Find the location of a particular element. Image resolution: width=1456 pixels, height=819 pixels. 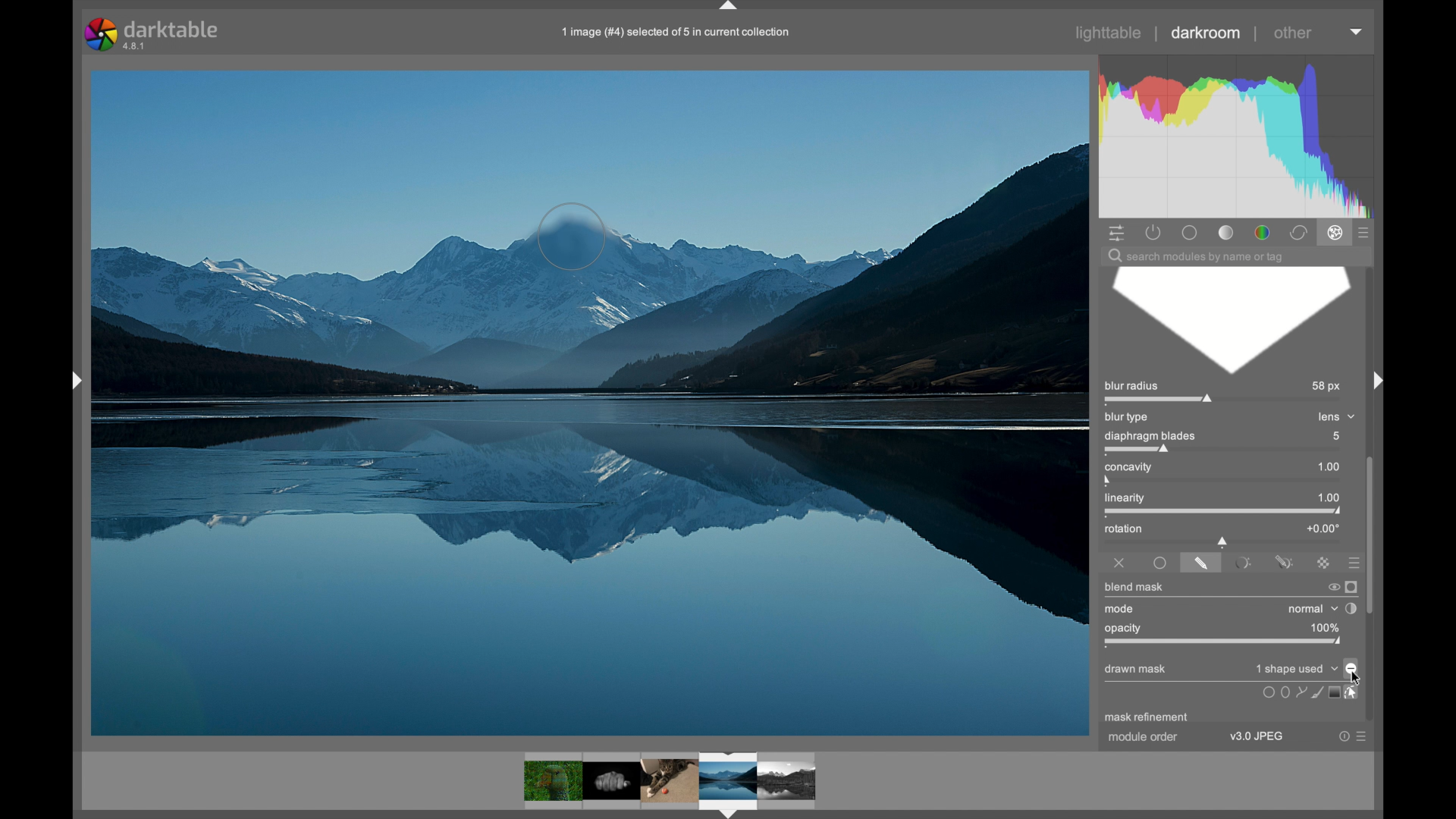

diaphragm blades is located at coordinates (1152, 441).